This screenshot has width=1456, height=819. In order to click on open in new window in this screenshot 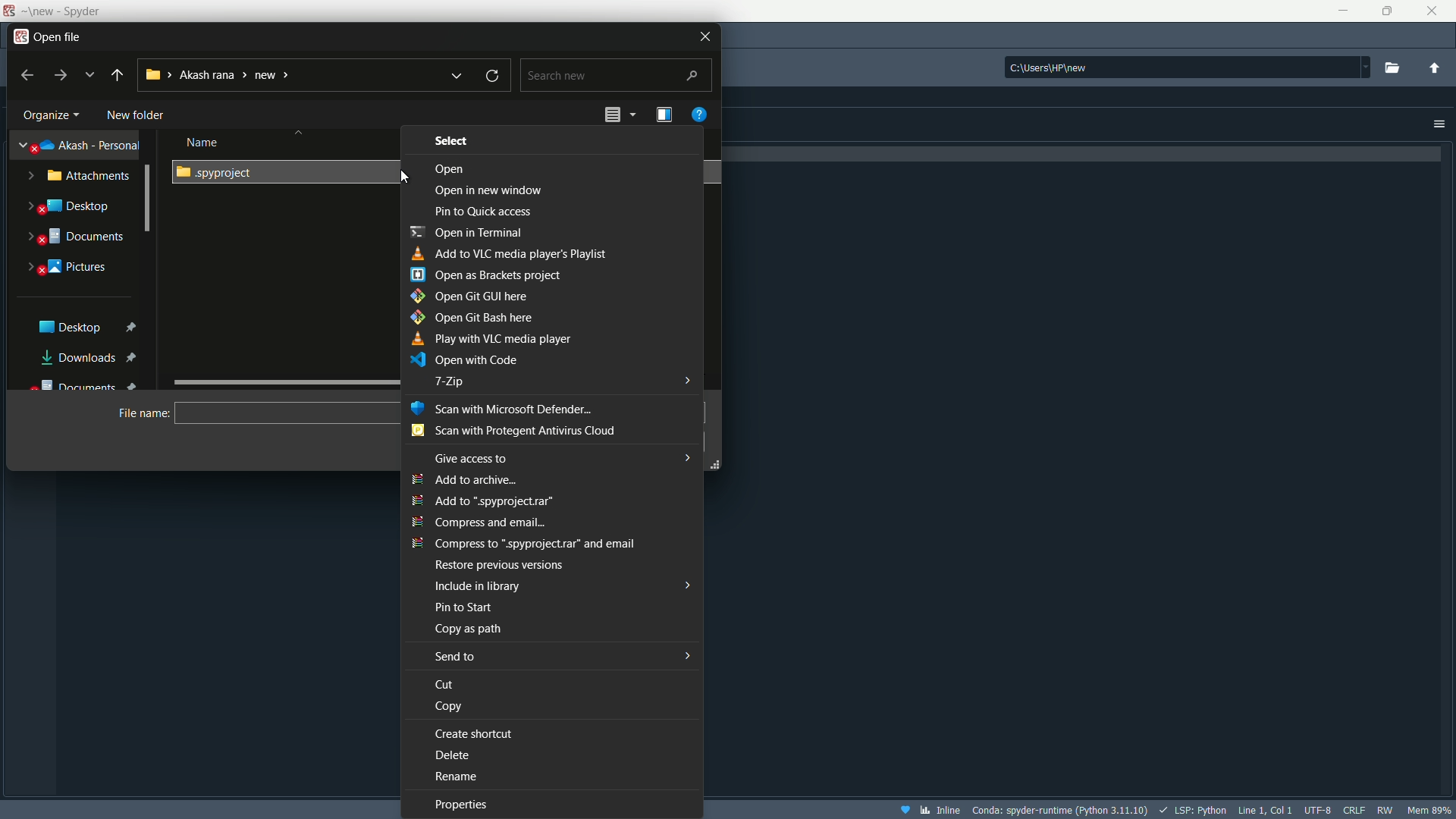, I will do `click(488, 189)`.